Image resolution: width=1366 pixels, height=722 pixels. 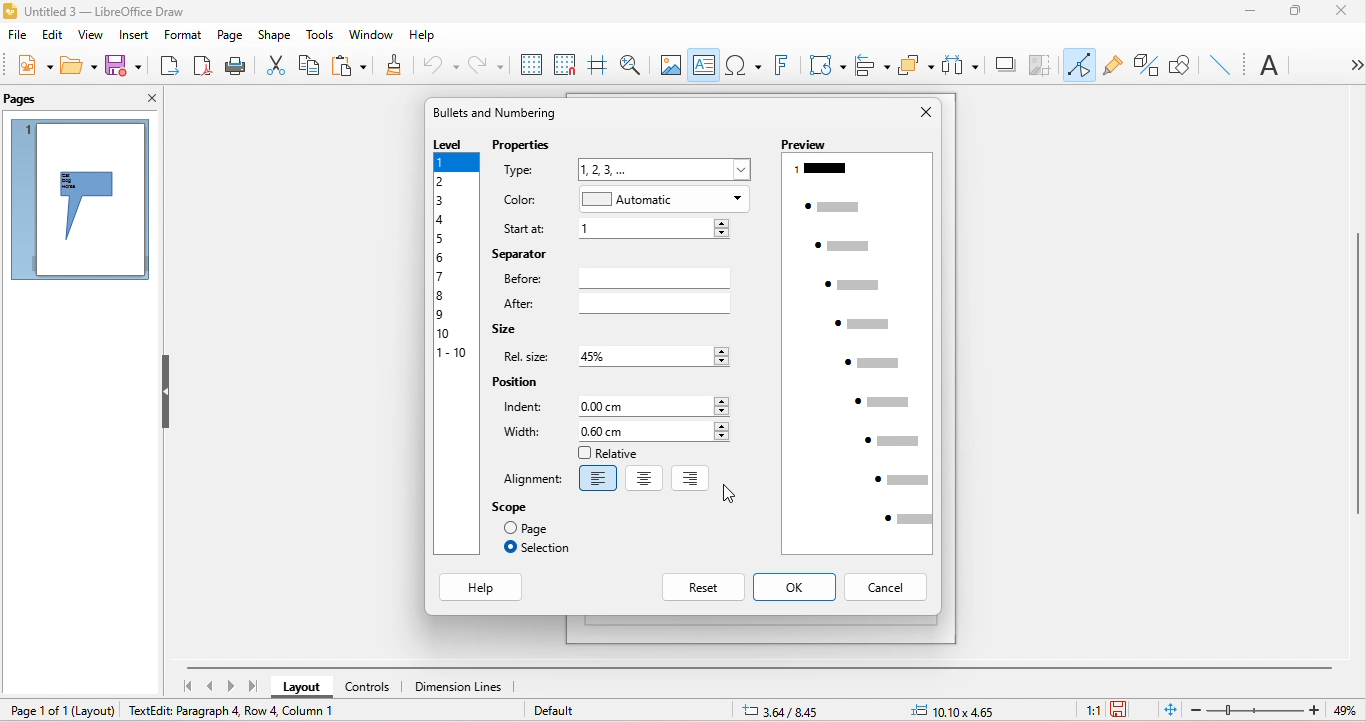 I want to click on help, so click(x=482, y=588).